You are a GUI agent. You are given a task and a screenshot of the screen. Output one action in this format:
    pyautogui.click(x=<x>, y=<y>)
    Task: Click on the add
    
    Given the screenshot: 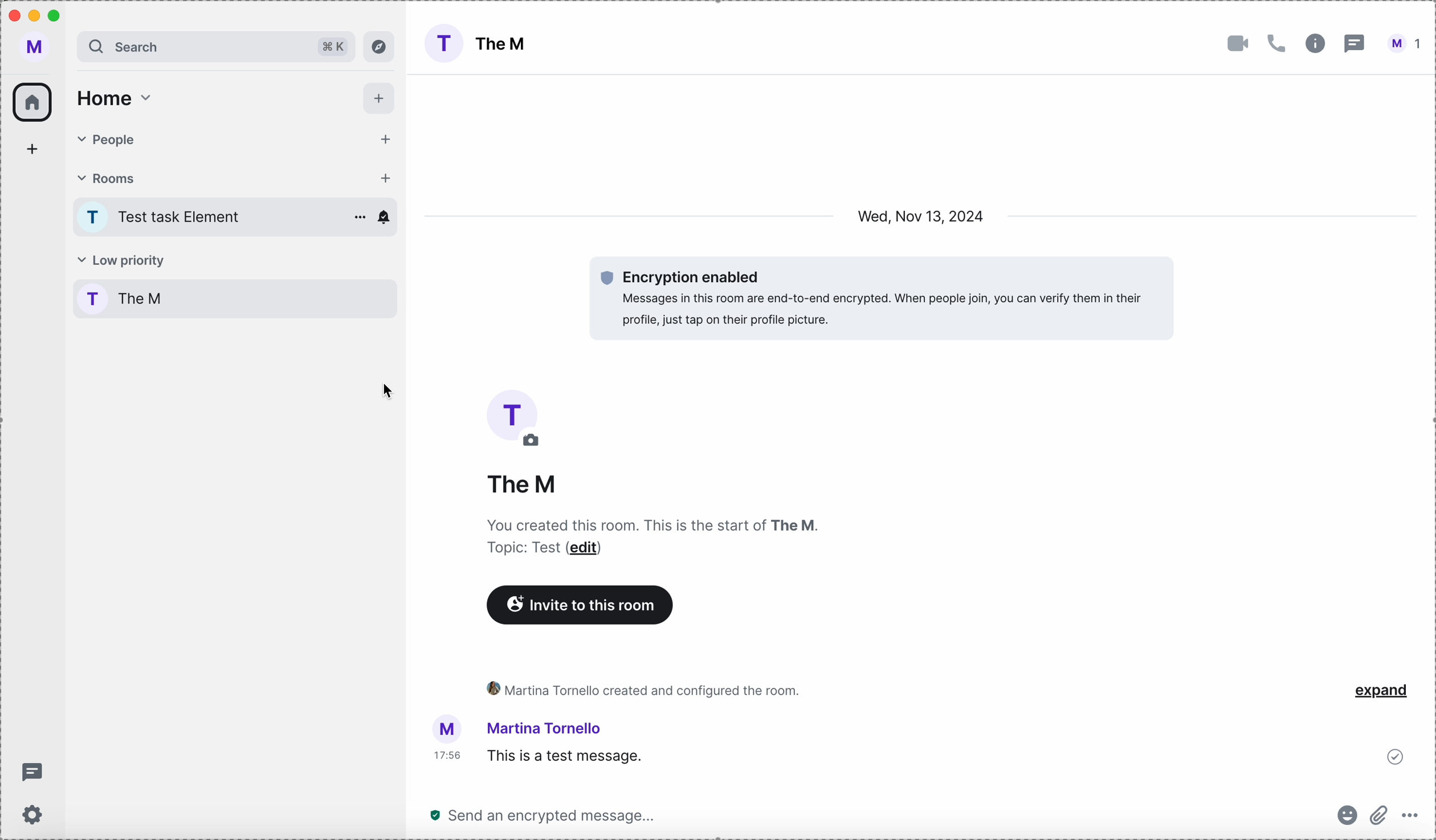 What is the action you would take?
    pyautogui.click(x=380, y=136)
    